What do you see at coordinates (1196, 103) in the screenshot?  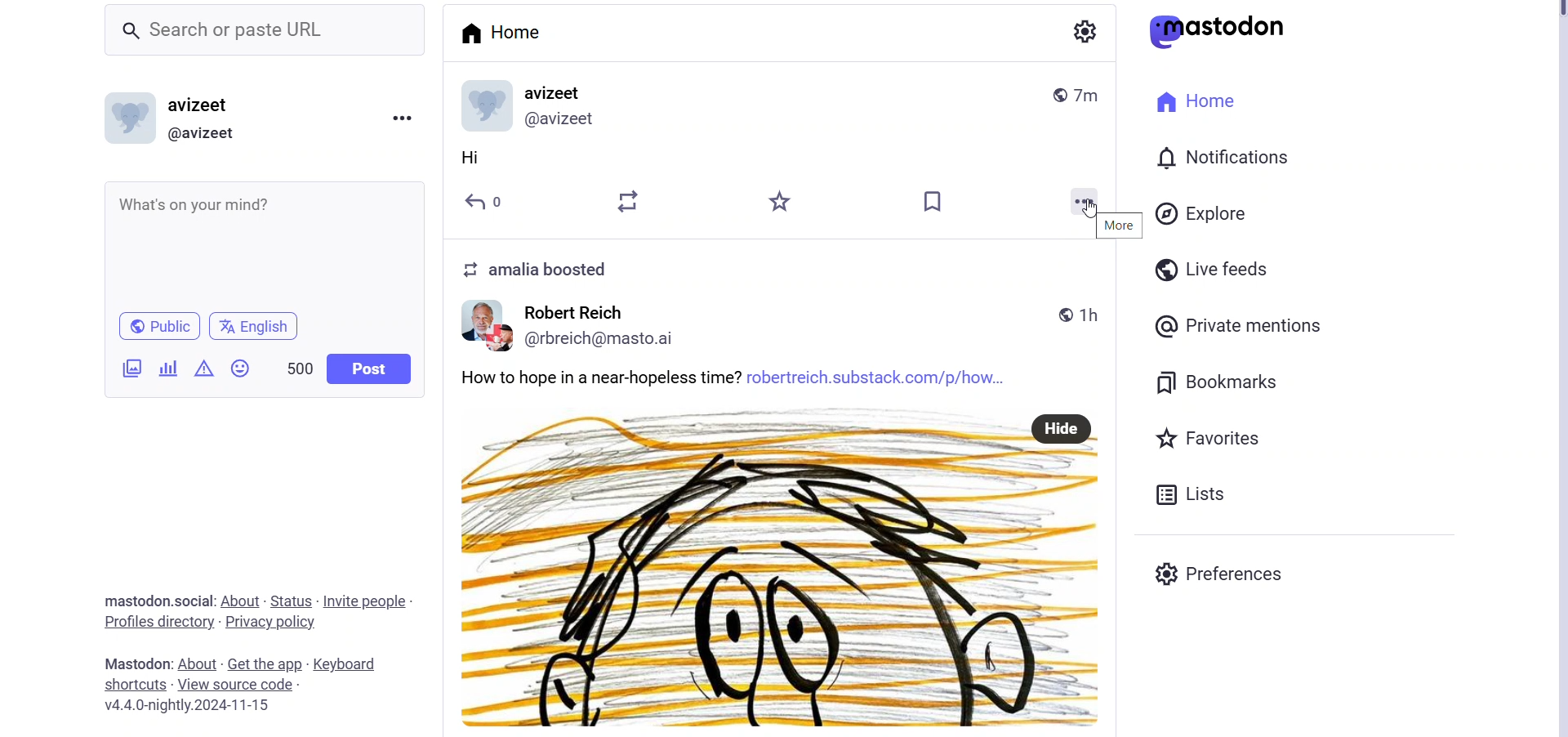 I see `Home` at bounding box center [1196, 103].